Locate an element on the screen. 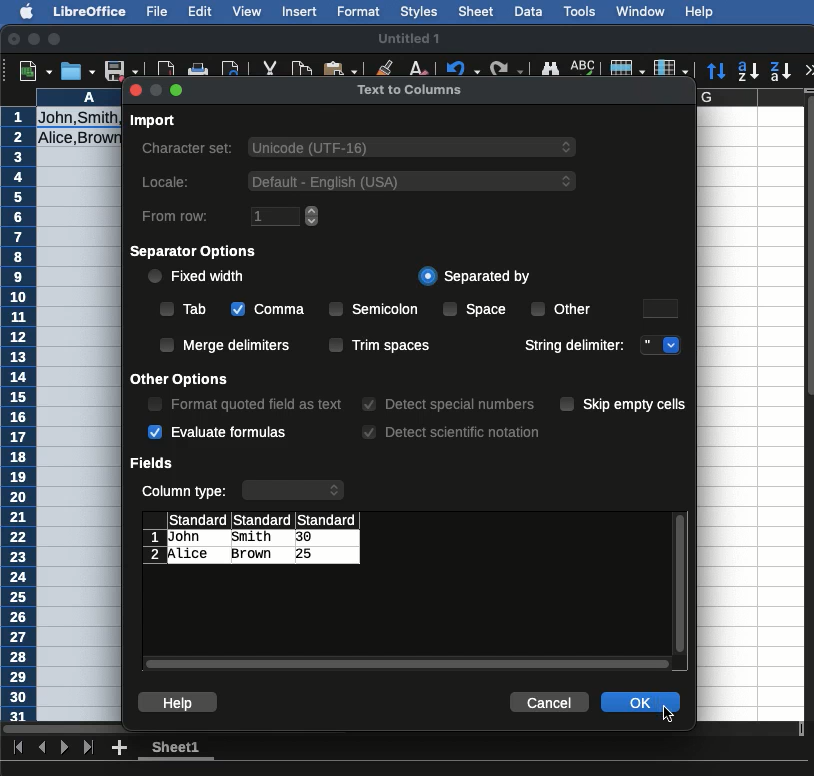 The width and height of the screenshot is (814, 776). File is located at coordinates (158, 12).